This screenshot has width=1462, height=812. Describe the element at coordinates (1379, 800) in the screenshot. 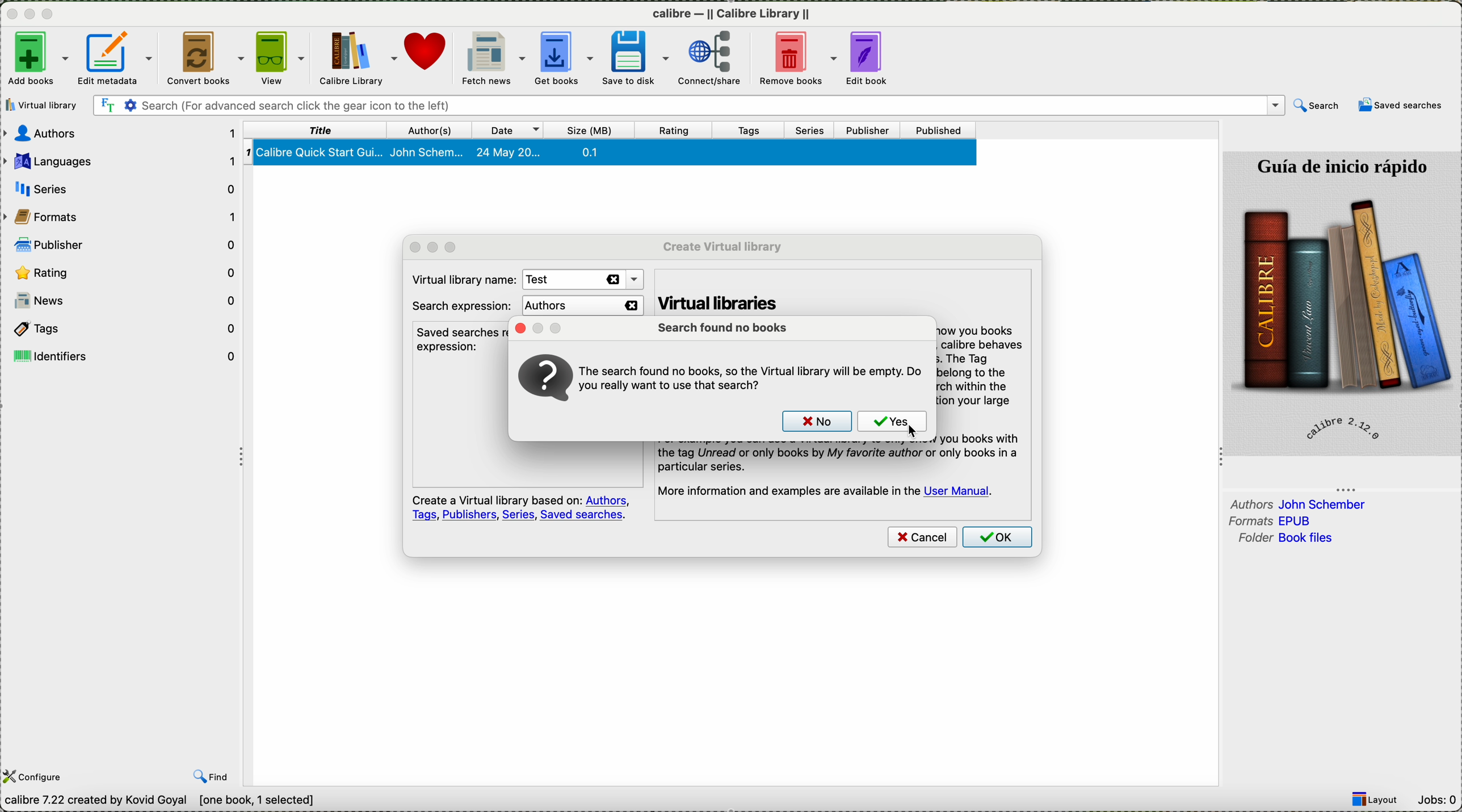

I see `layout` at that location.